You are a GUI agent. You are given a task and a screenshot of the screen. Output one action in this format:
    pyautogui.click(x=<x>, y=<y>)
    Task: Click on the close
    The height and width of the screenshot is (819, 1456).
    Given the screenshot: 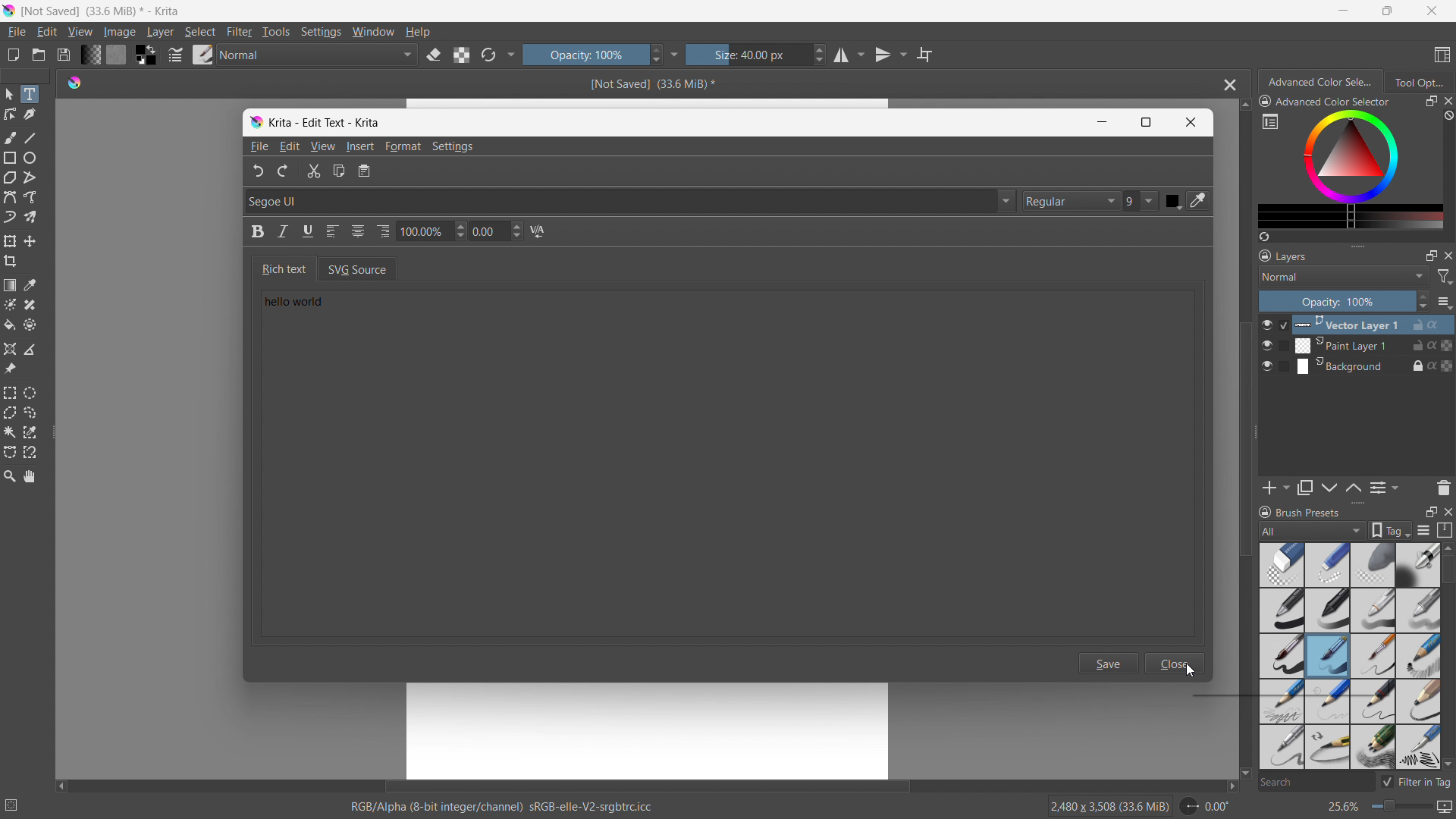 What is the action you would take?
    pyautogui.click(x=1432, y=11)
    